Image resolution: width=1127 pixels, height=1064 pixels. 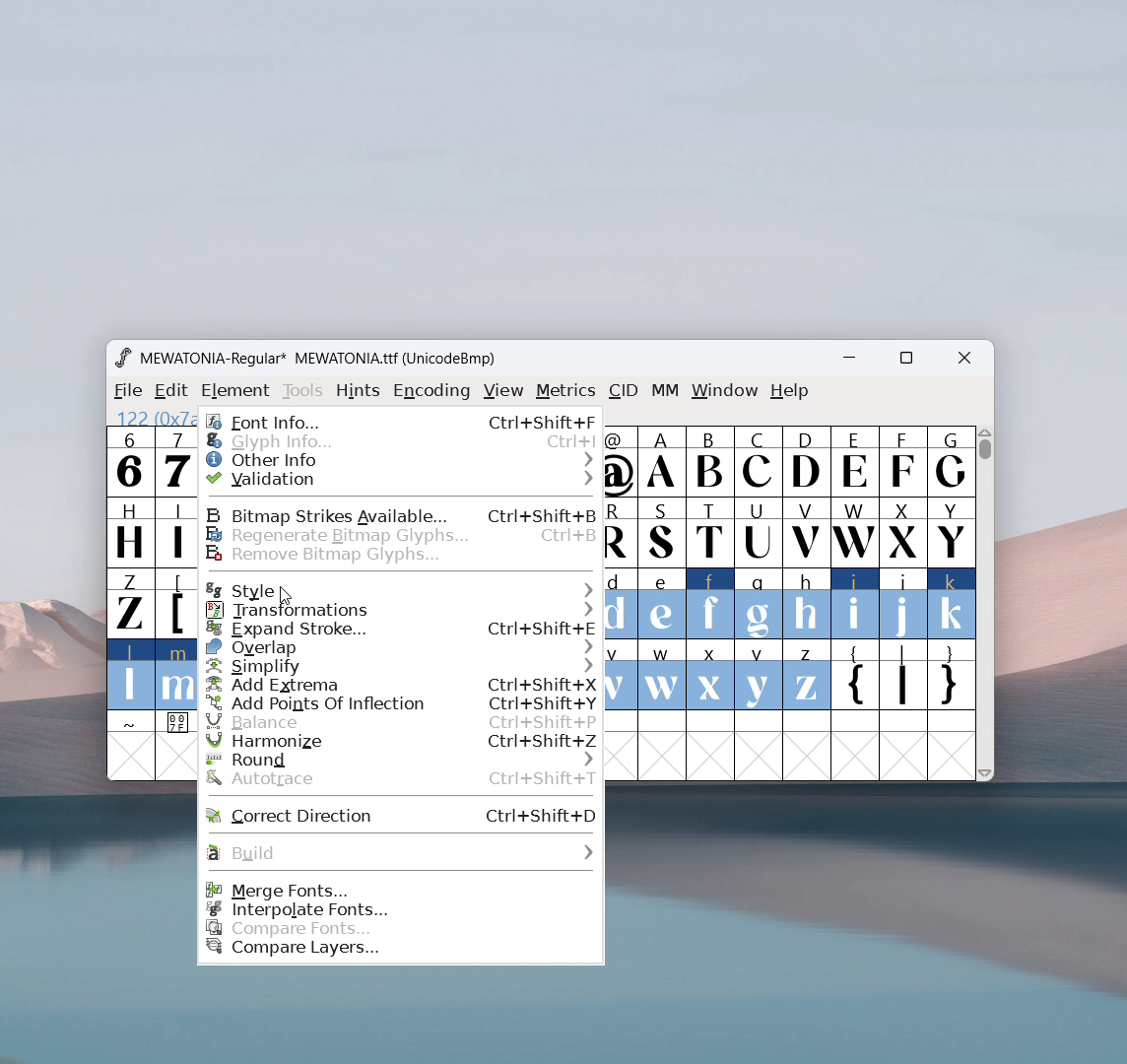 I want to click on C, so click(x=757, y=461).